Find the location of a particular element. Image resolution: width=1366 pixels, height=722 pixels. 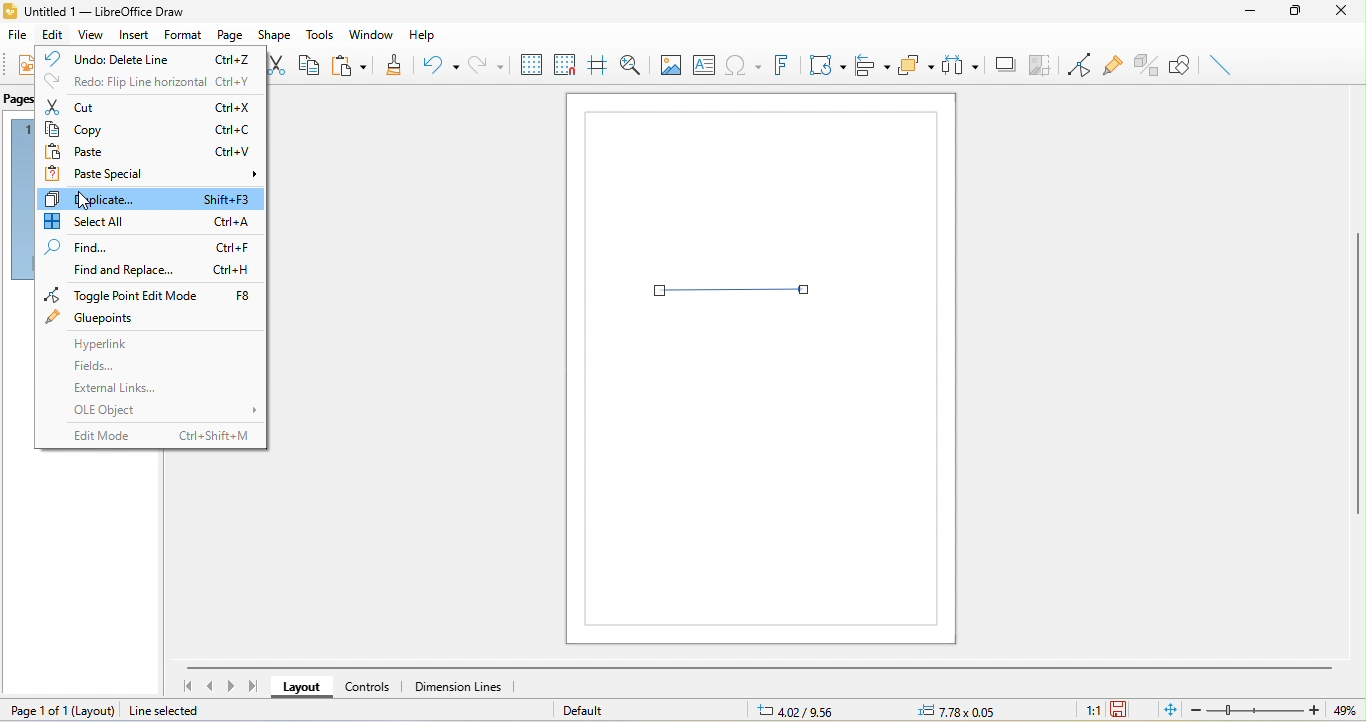

0.00x0.00 is located at coordinates (954, 711).